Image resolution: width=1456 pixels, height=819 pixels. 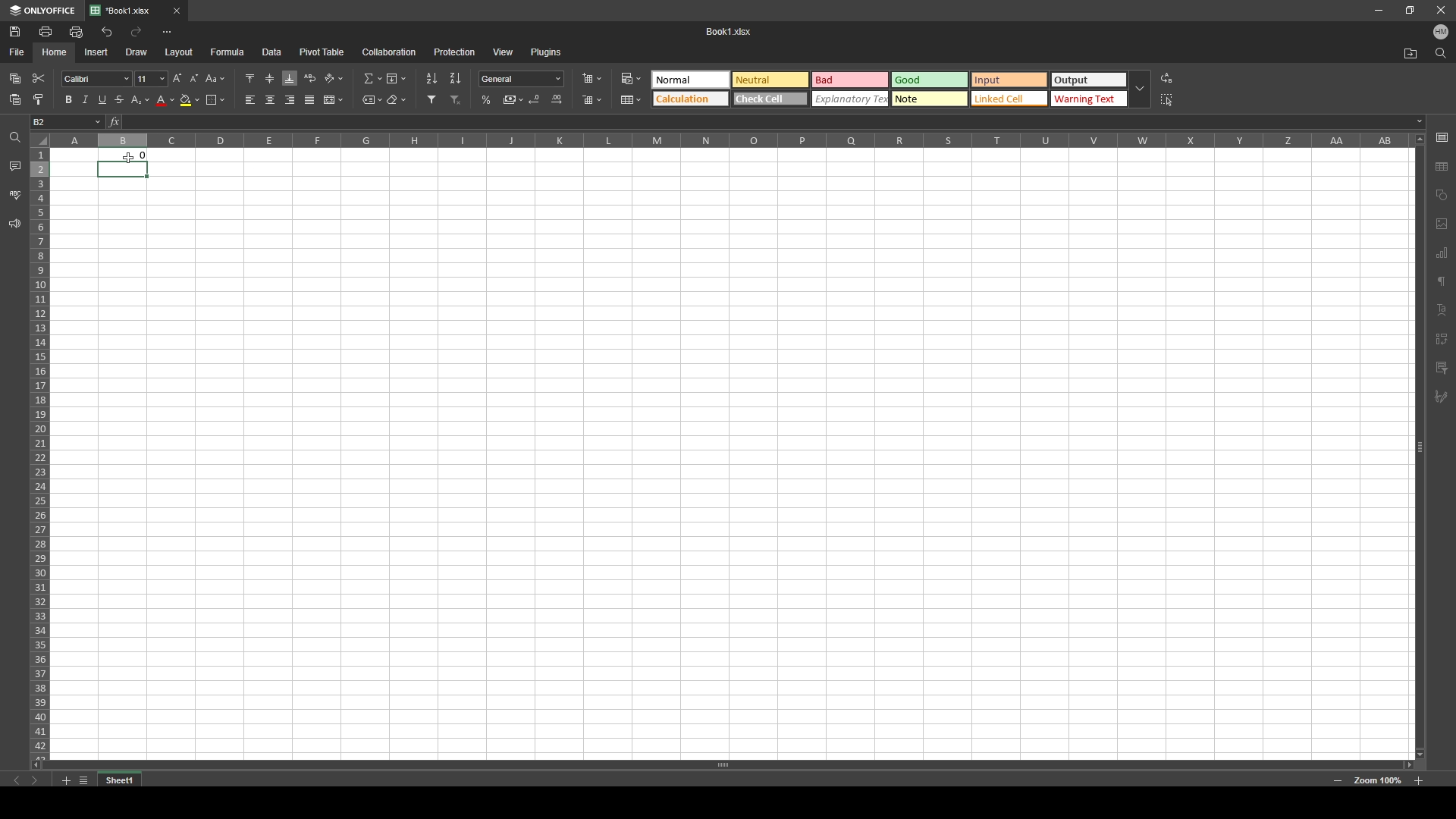 What do you see at coordinates (457, 100) in the screenshot?
I see `remove filter` at bounding box center [457, 100].